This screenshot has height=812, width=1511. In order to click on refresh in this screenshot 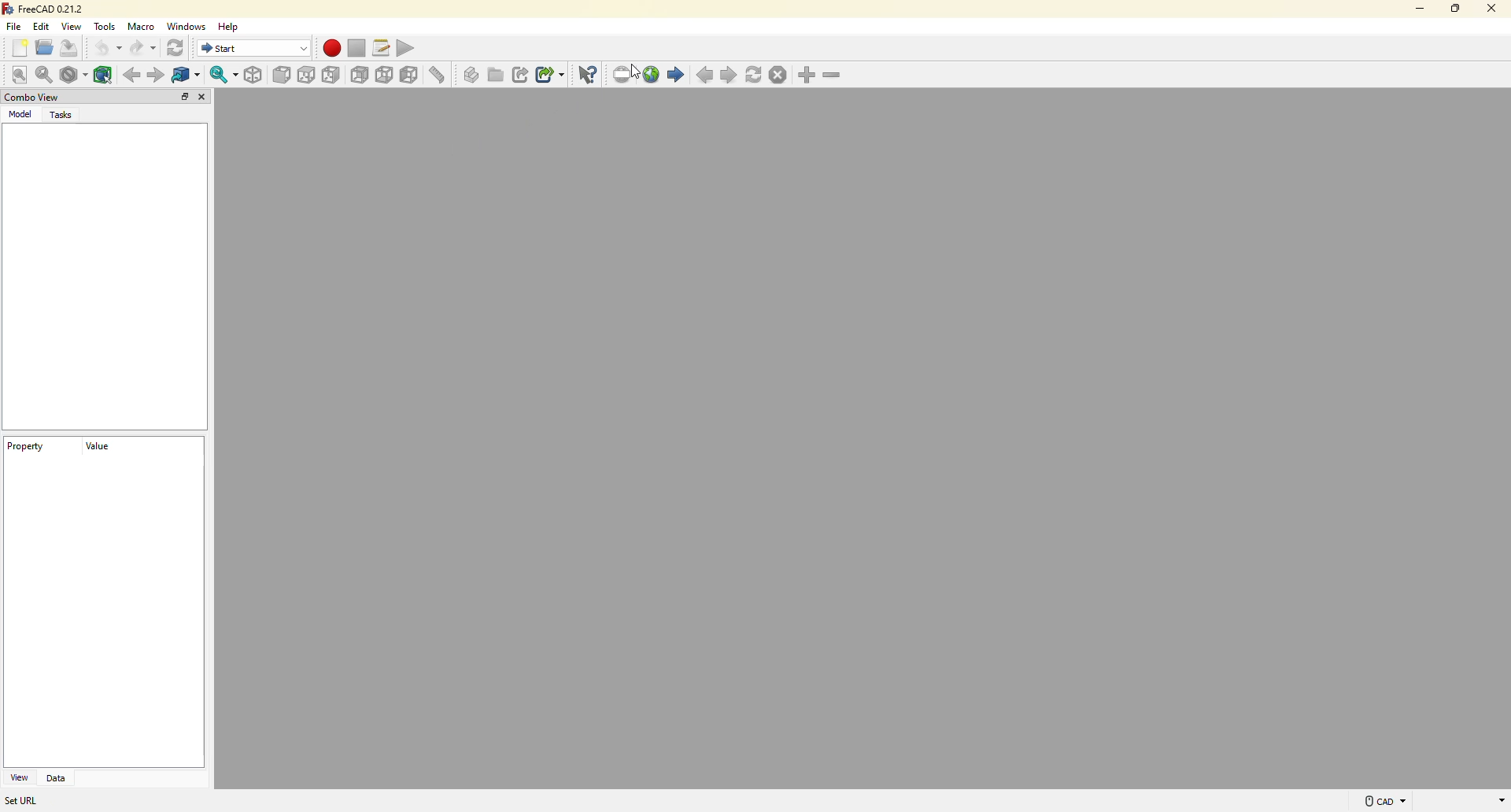, I will do `click(178, 49)`.